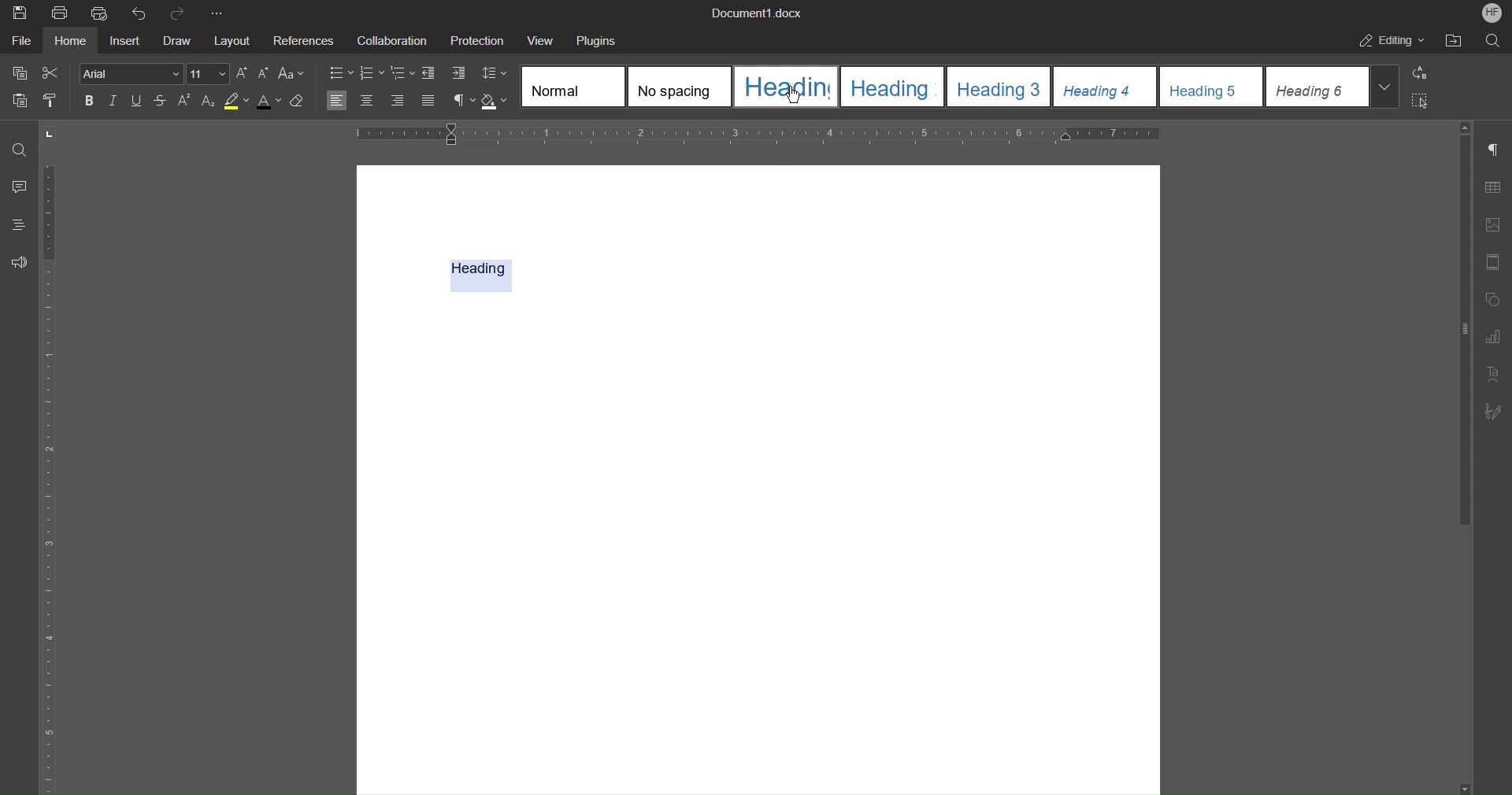 Image resolution: width=1512 pixels, height=795 pixels. Describe the element at coordinates (17, 13) in the screenshot. I see `New` at that location.